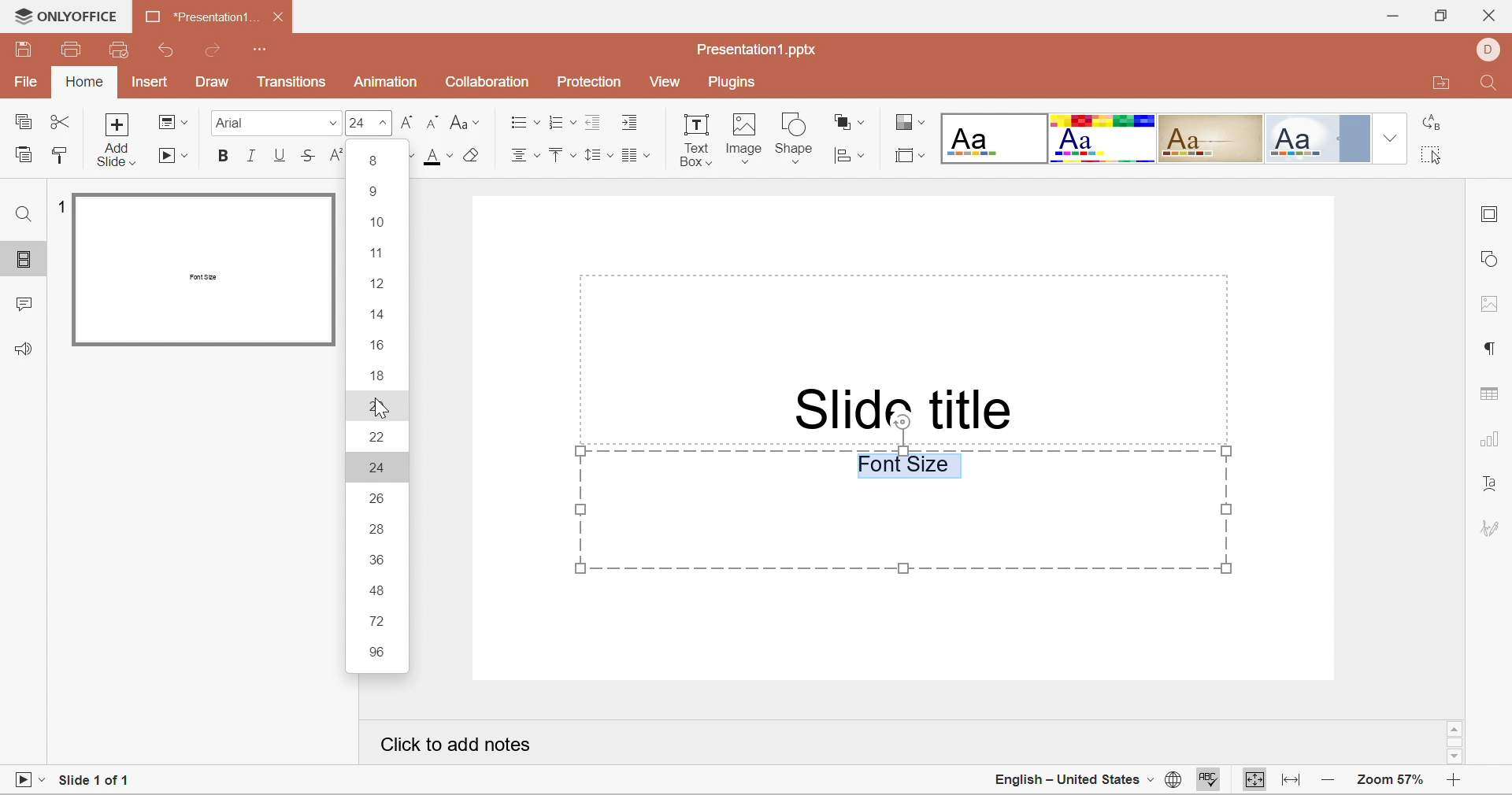 The height and width of the screenshot is (795, 1512). I want to click on 8, so click(375, 162).